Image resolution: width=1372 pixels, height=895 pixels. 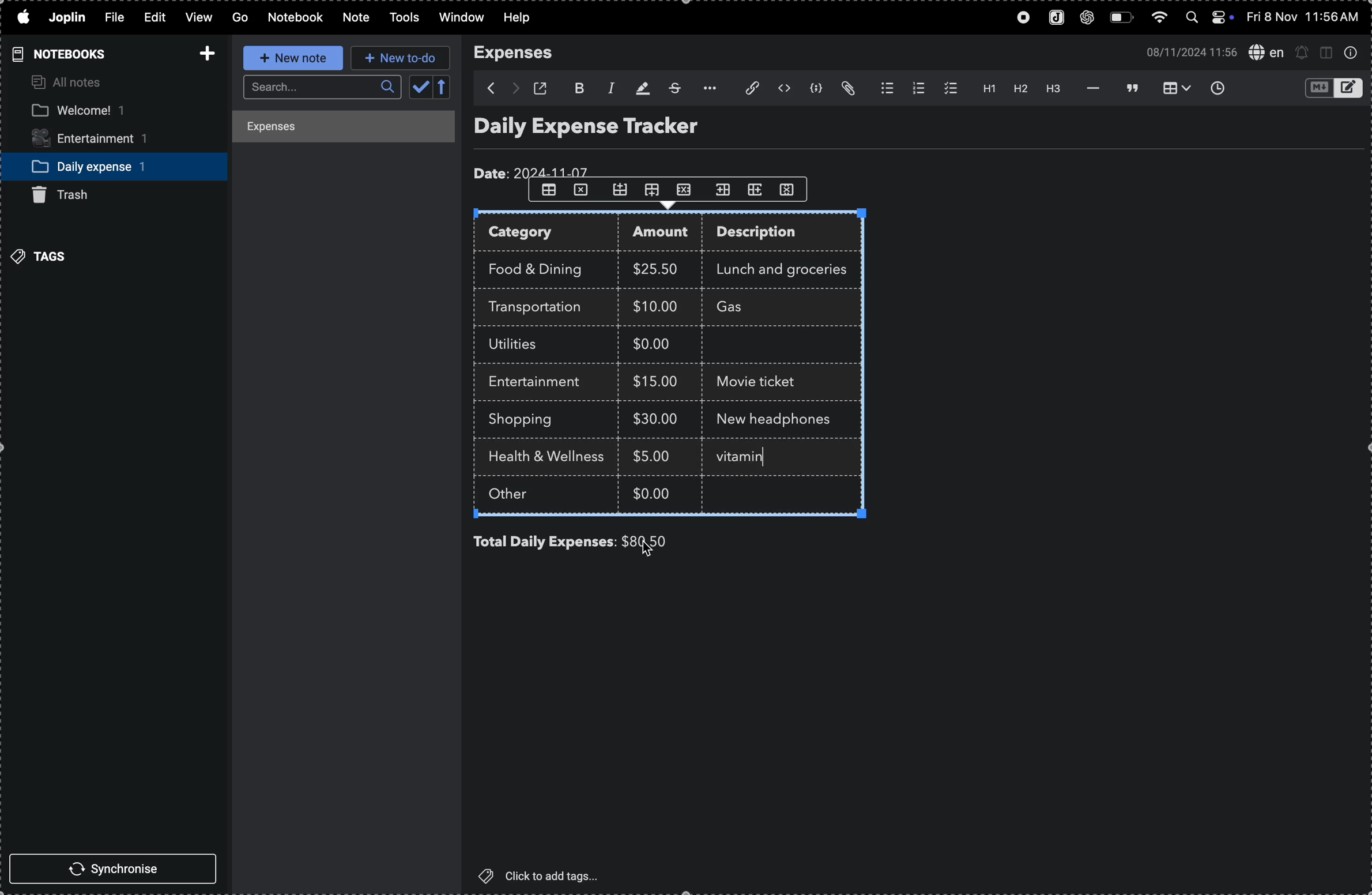 What do you see at coordinates (485, 88) in the screenshot?
I see `backward` at bounding box center [485, 88].